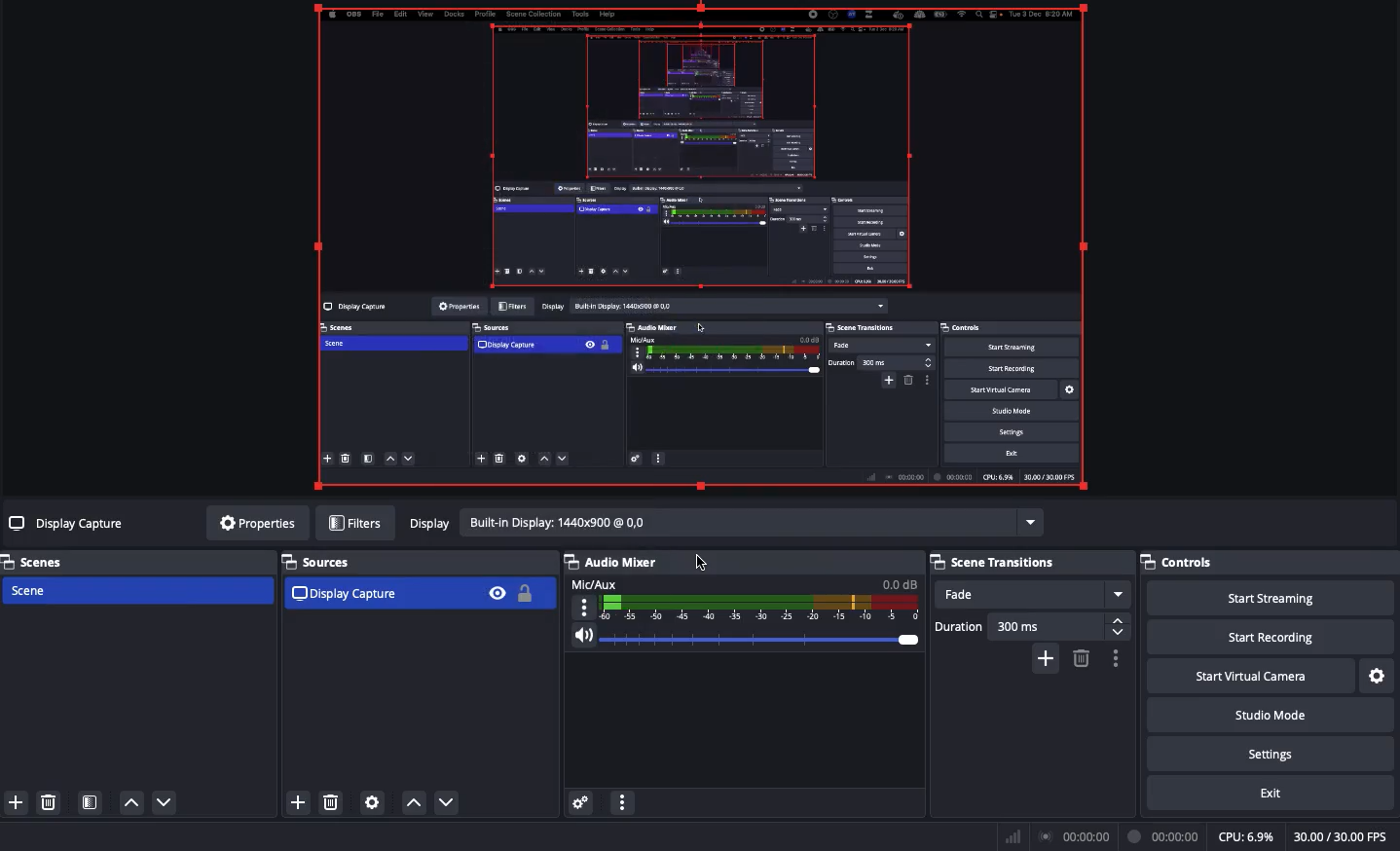  I want to click on Bar, so click(1011, 836).